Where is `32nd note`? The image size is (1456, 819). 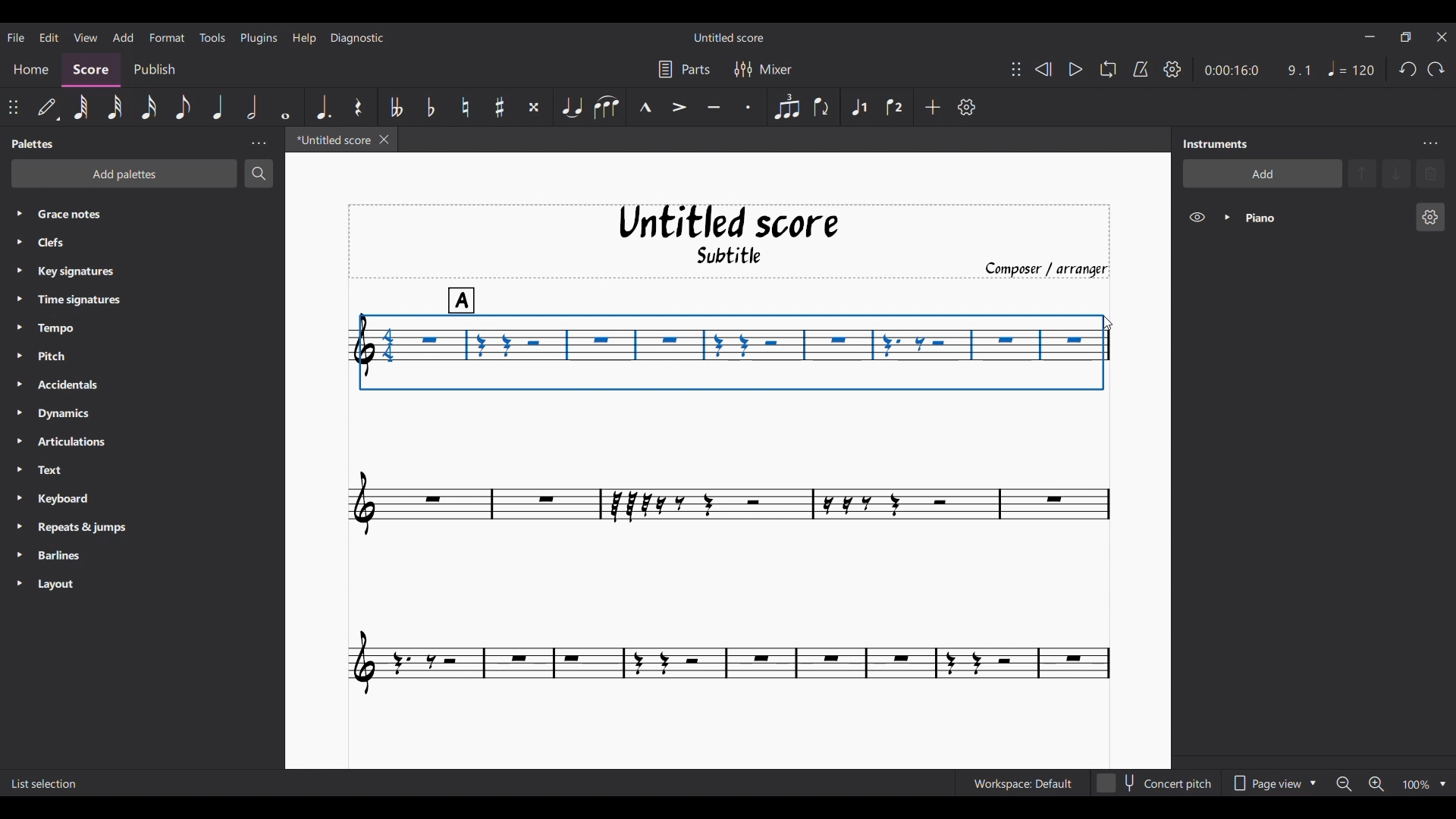
32nd note is located at coordinates (113, 107).